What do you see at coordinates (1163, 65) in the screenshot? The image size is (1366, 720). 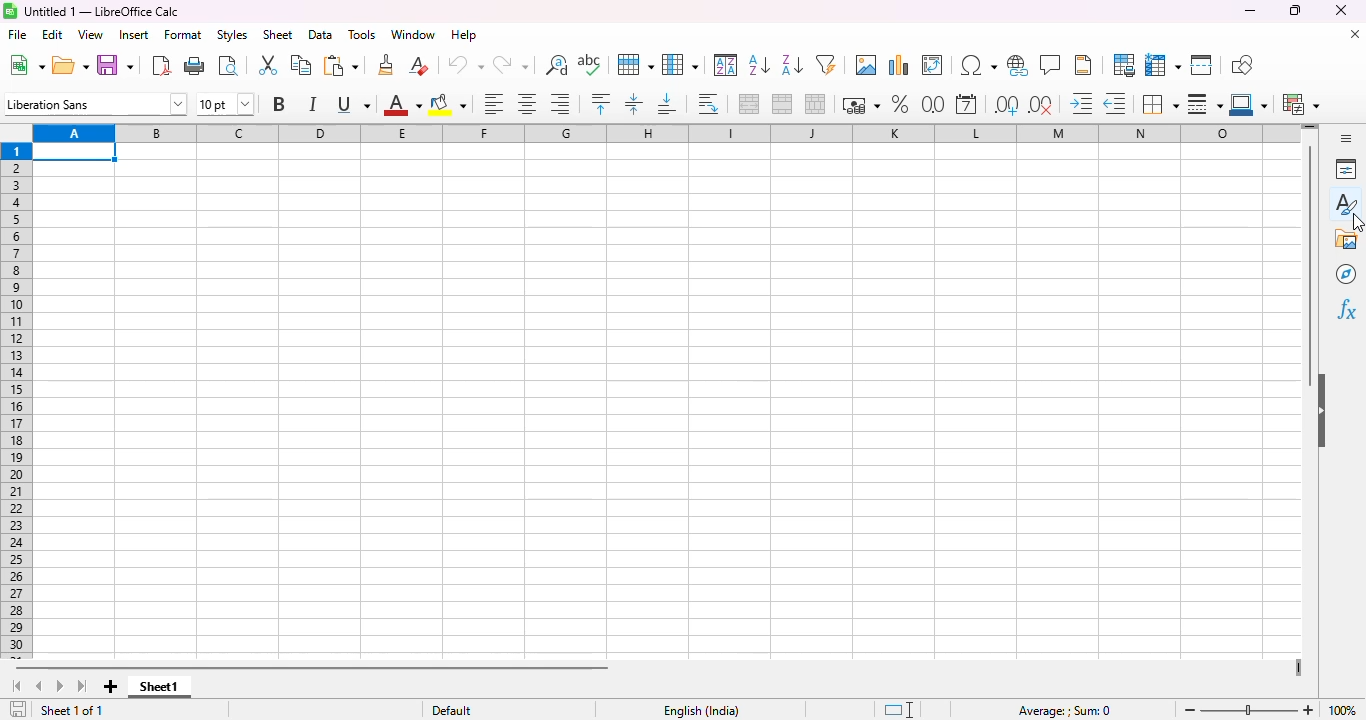 I see `freeze rows and columns` at bounding box center [1163, 65].